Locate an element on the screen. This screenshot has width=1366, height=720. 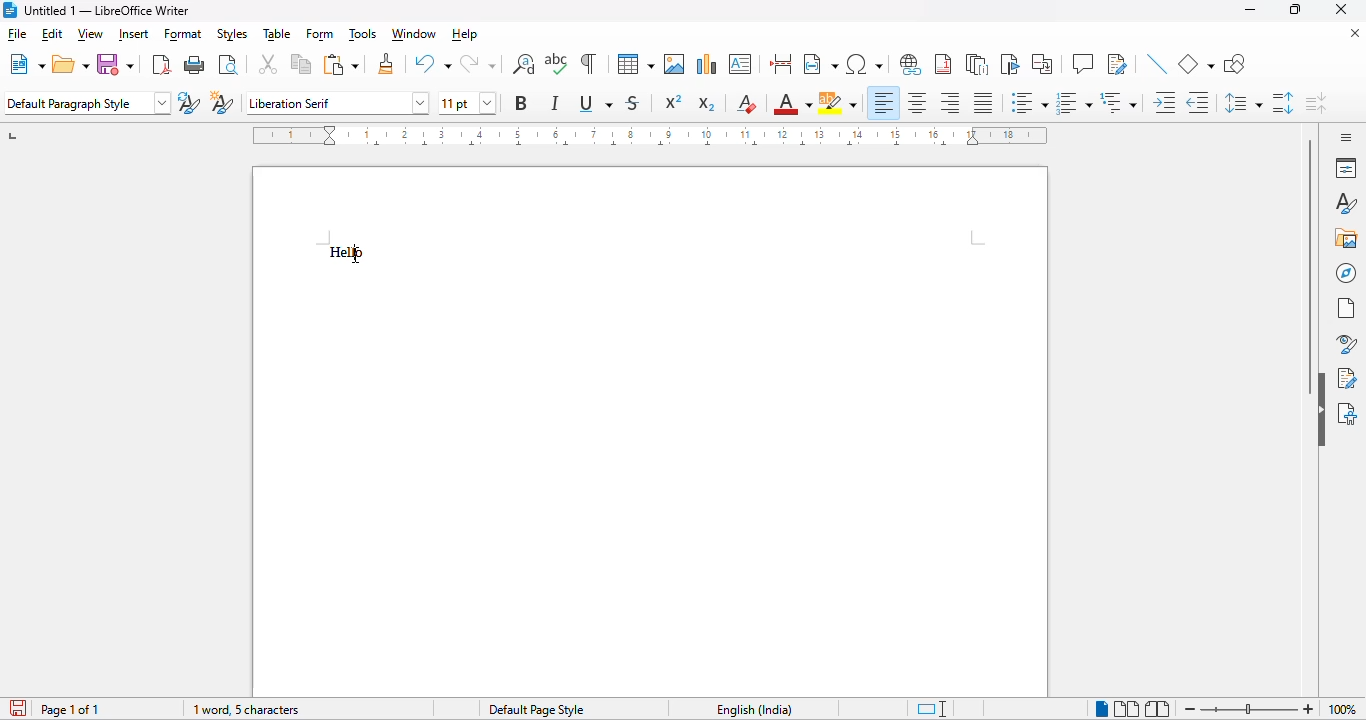
styles is located at coordinates (1346, 204).